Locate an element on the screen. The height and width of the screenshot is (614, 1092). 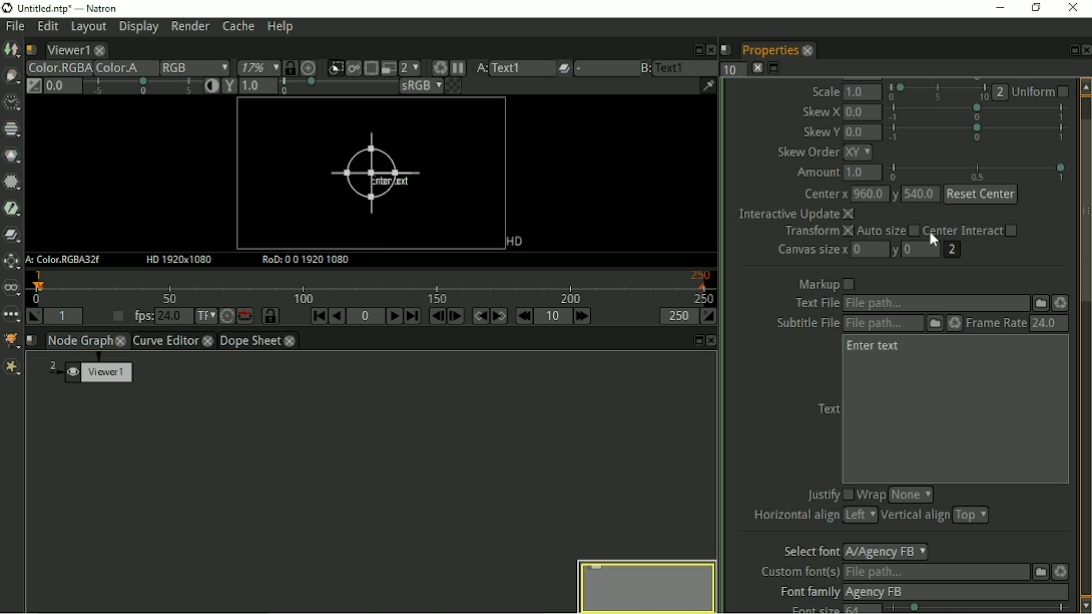
agency fb is located at coordinates (955, 592).